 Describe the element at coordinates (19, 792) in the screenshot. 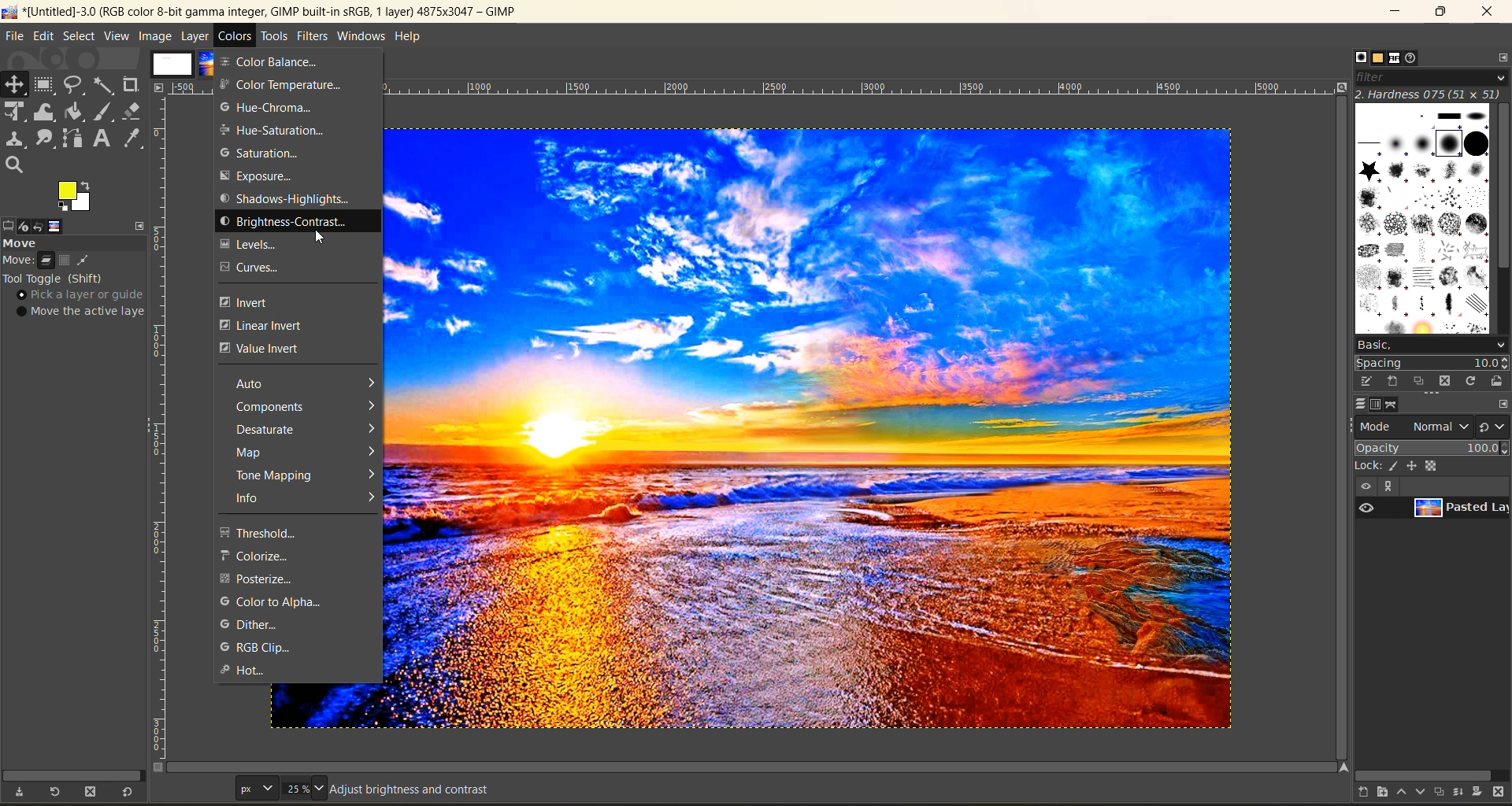

I see `save tool preset` at that location.